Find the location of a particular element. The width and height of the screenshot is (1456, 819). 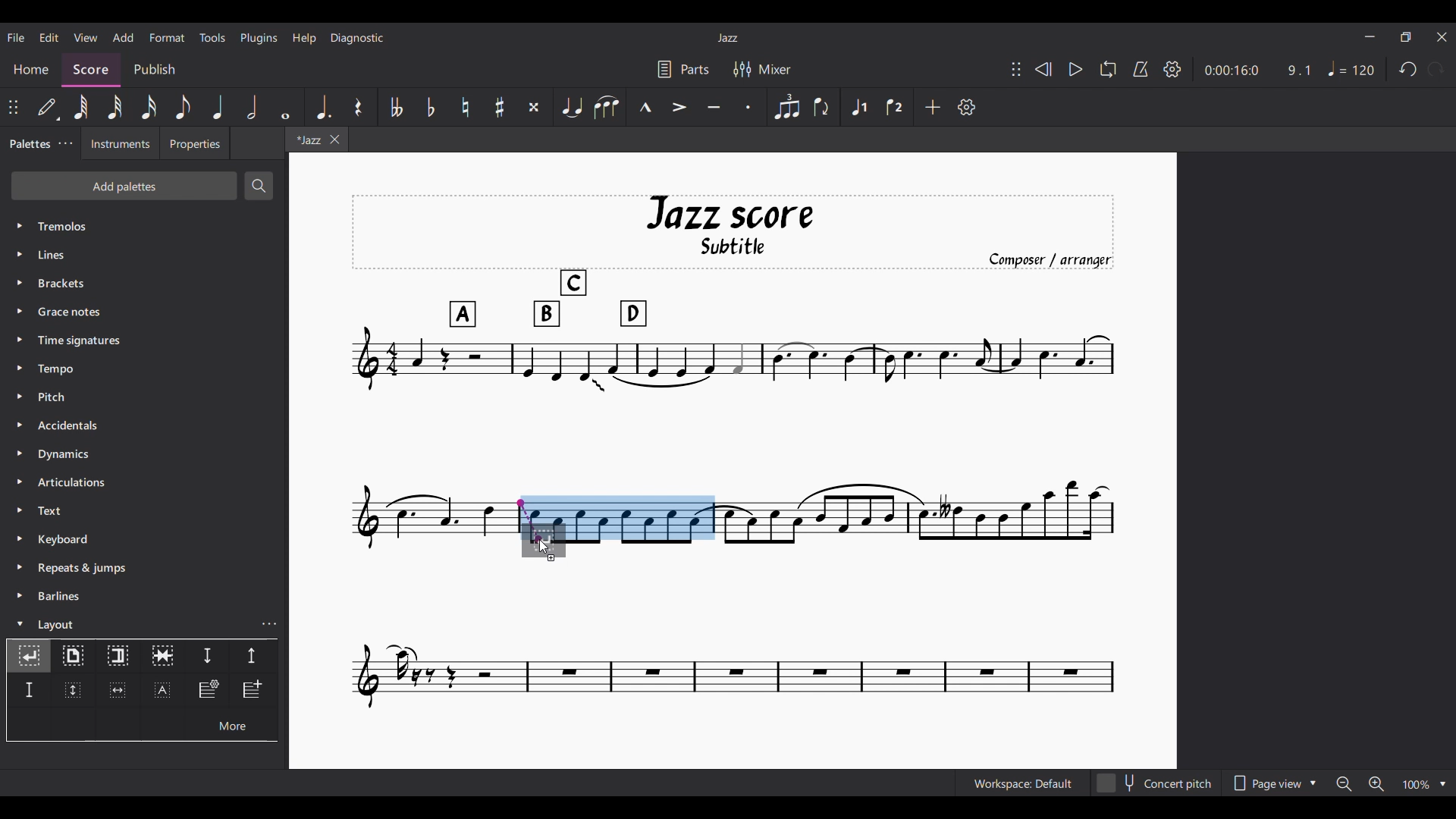

Articulations is located at coordinates (144, 482).